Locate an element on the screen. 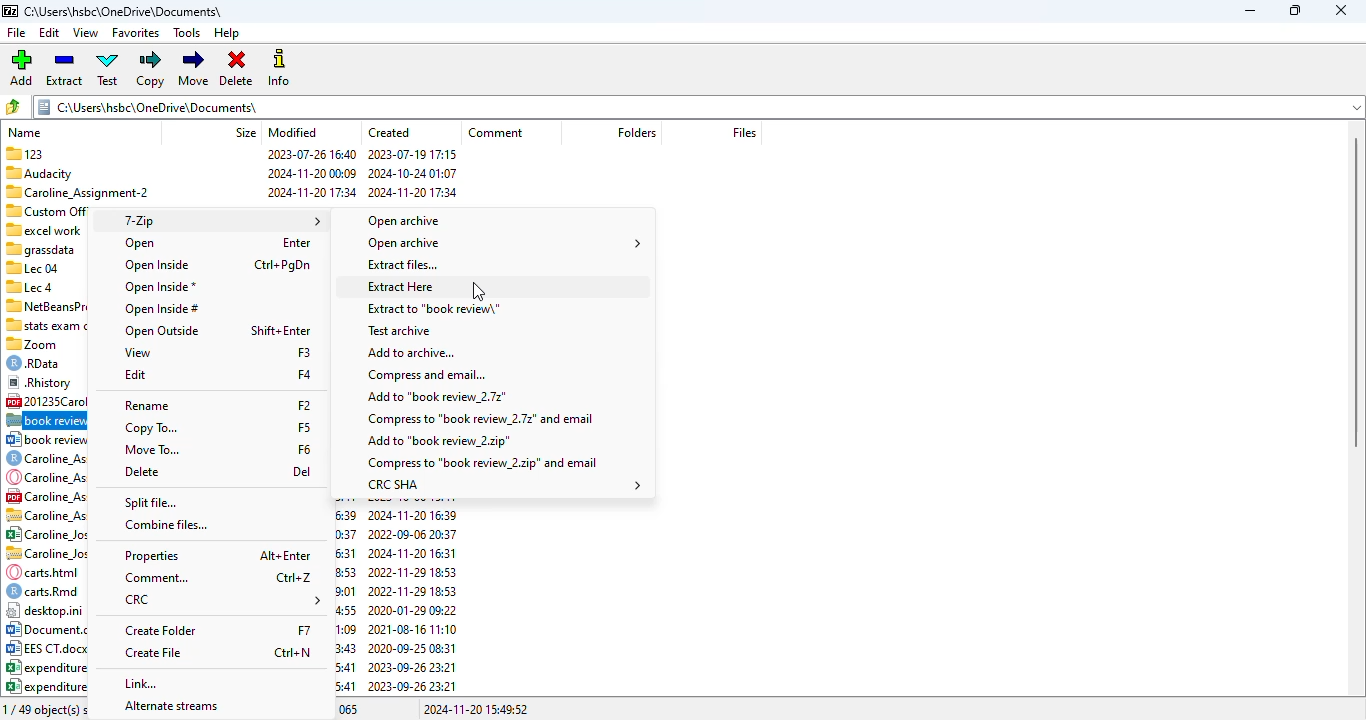 The height and width of the screenshot is (720, 1366). vertical scroll bar is located at coordinates (1356, 292).